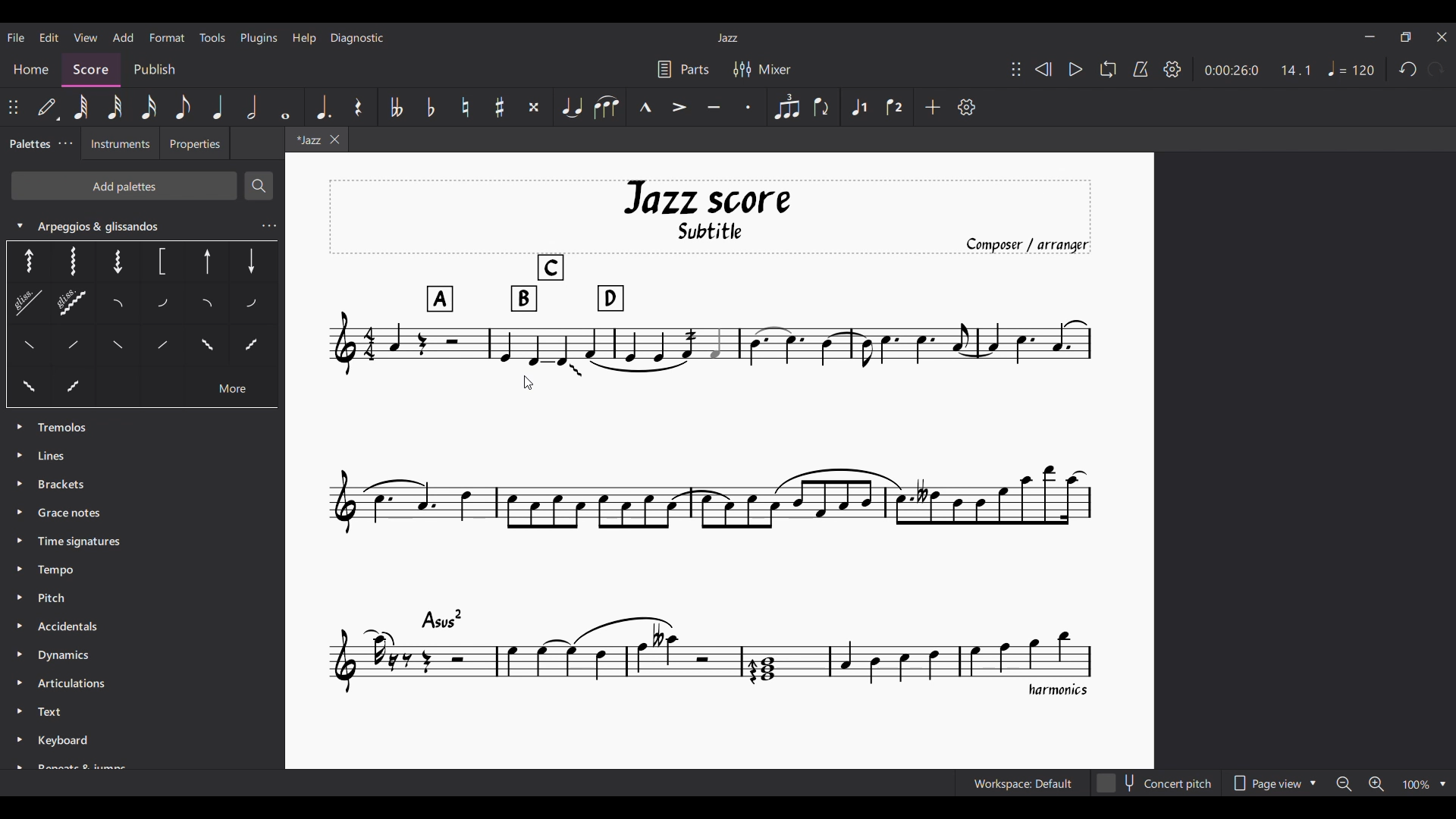  I want to click on Accidentals, so click(76, 623).